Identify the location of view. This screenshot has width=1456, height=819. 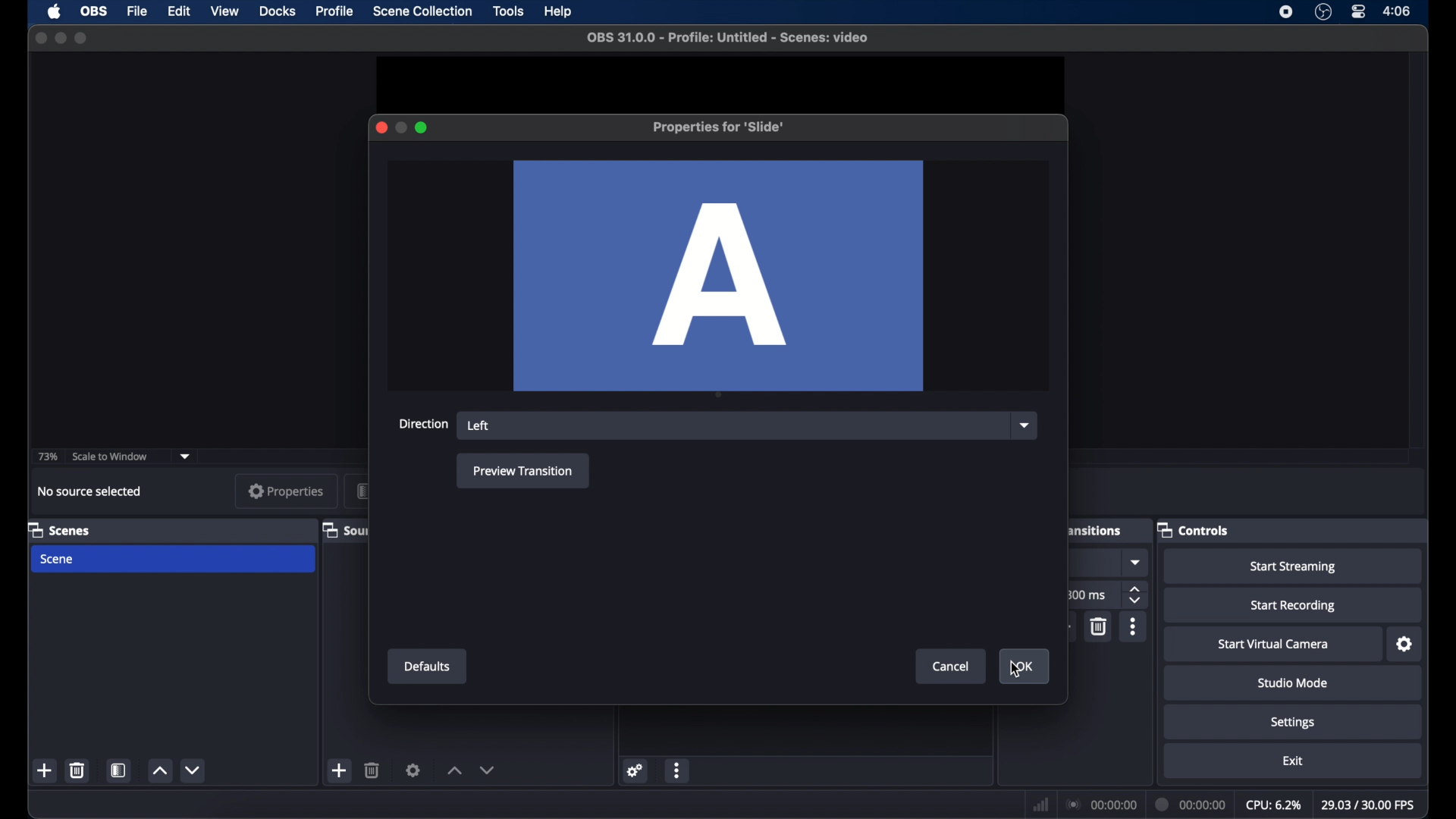
(224, 12).